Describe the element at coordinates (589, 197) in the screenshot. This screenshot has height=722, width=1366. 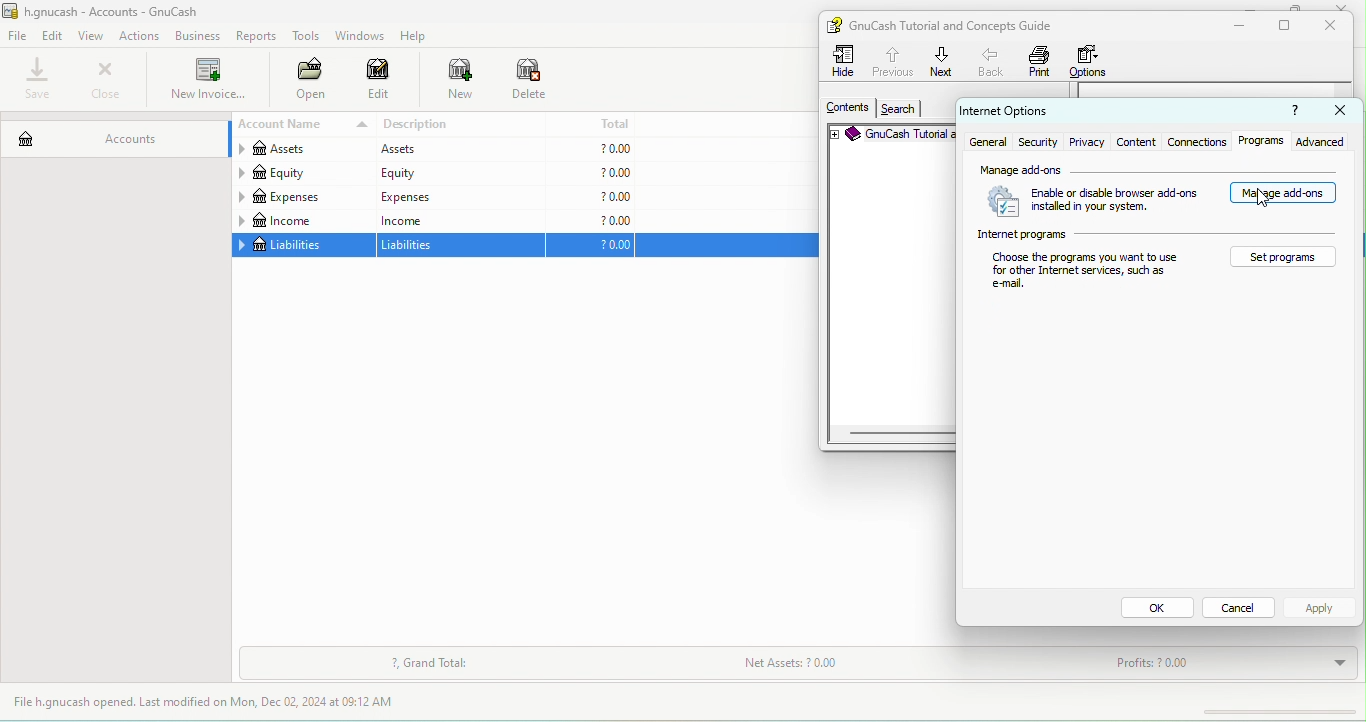
I see `?0.00` at that location.